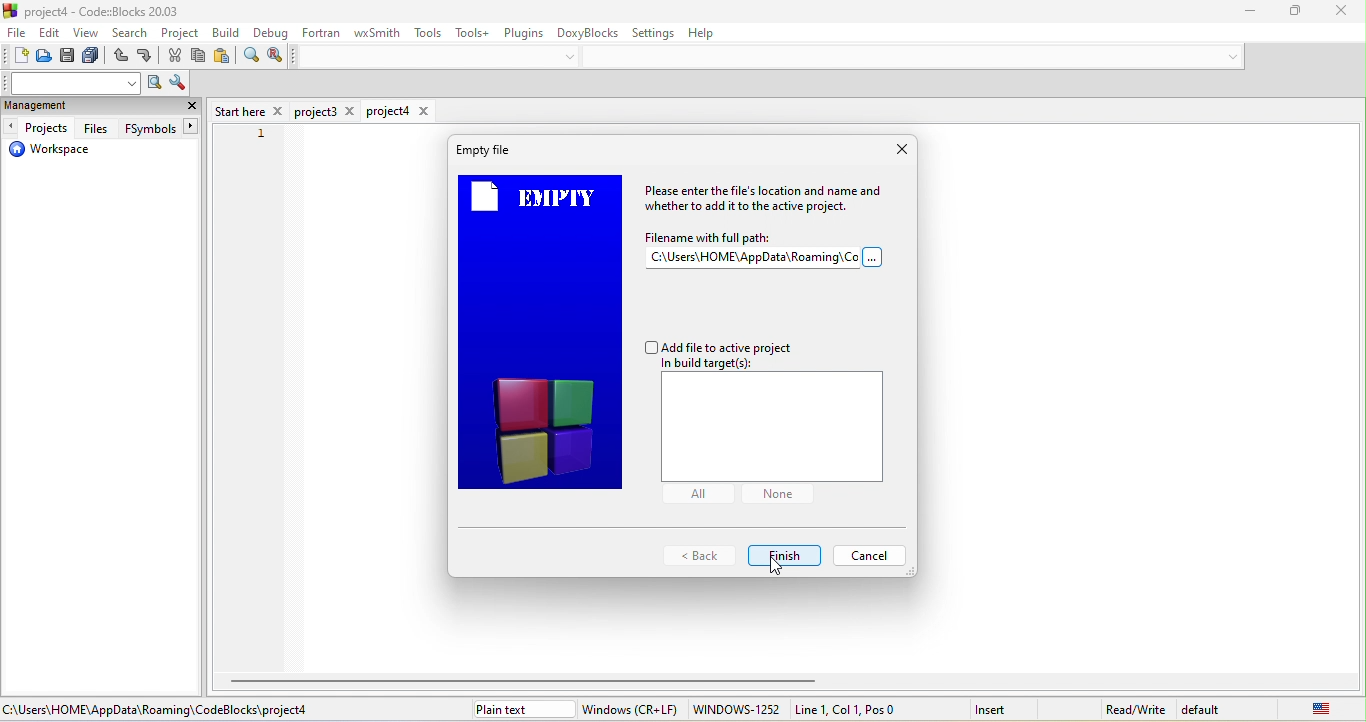 The width and height of the screenshot is (1366, 722). What do you see at coordinates (327, 112) in the screenshot?
I see `project3` at bounding box center [327, 112].